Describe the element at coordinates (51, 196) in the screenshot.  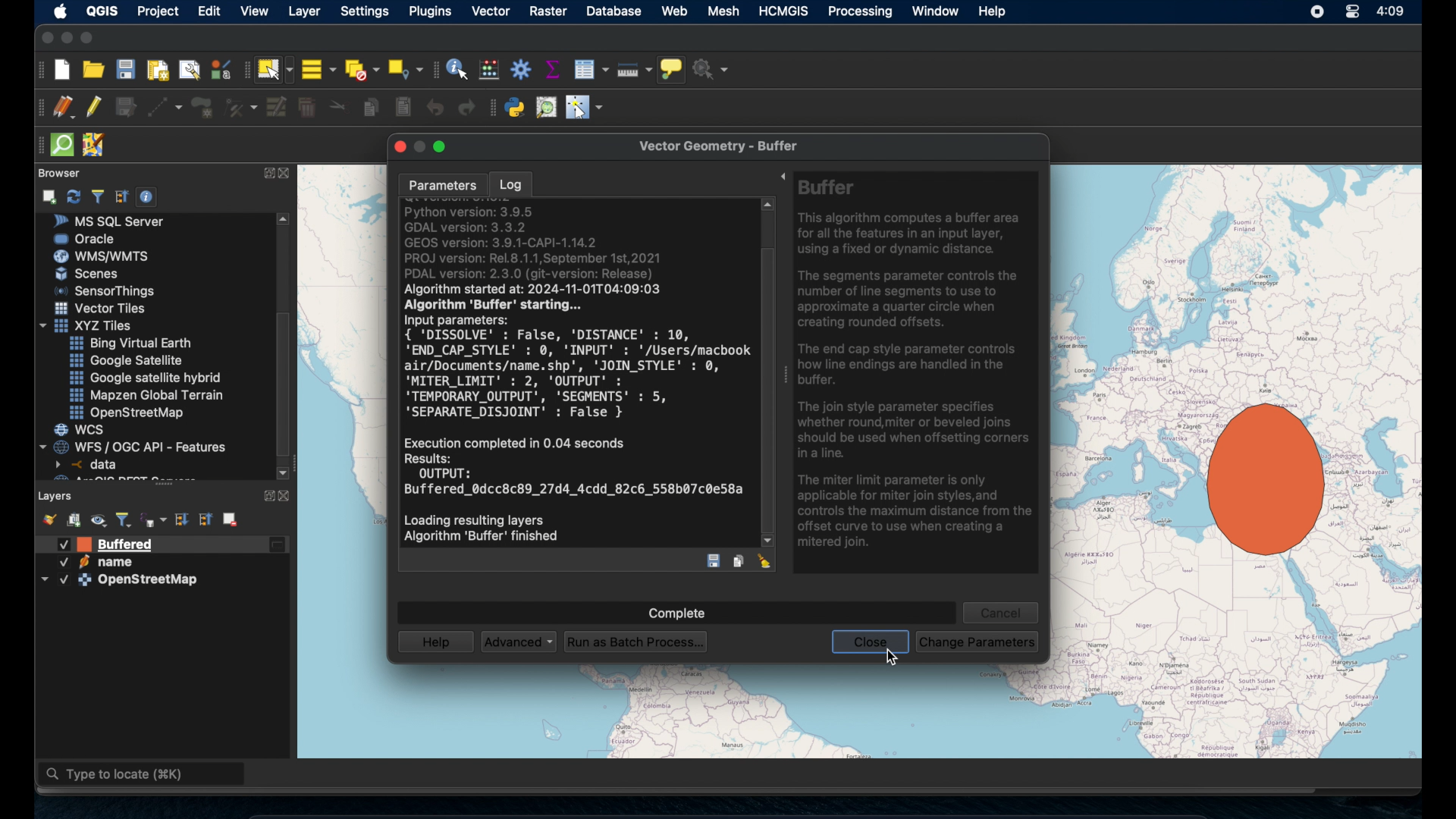
I see `add selected layers` at that location.